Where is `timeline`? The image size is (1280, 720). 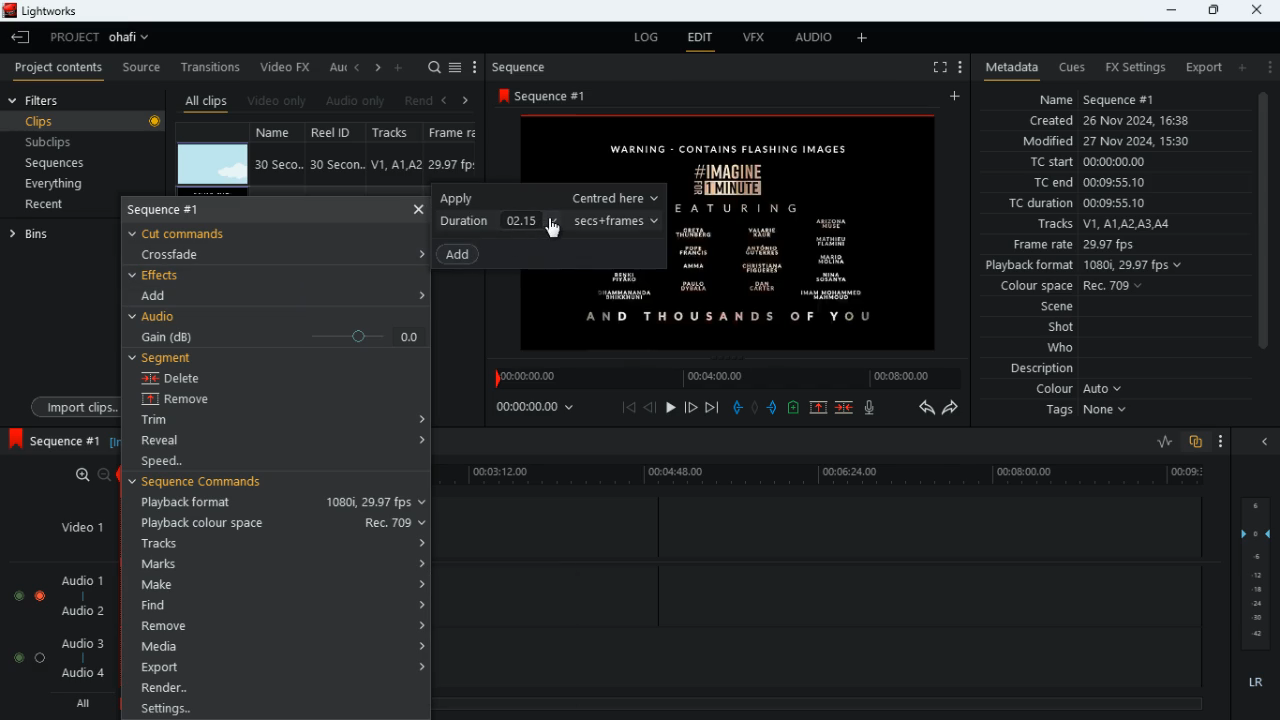 timeline is located at coordinates (828, 476).